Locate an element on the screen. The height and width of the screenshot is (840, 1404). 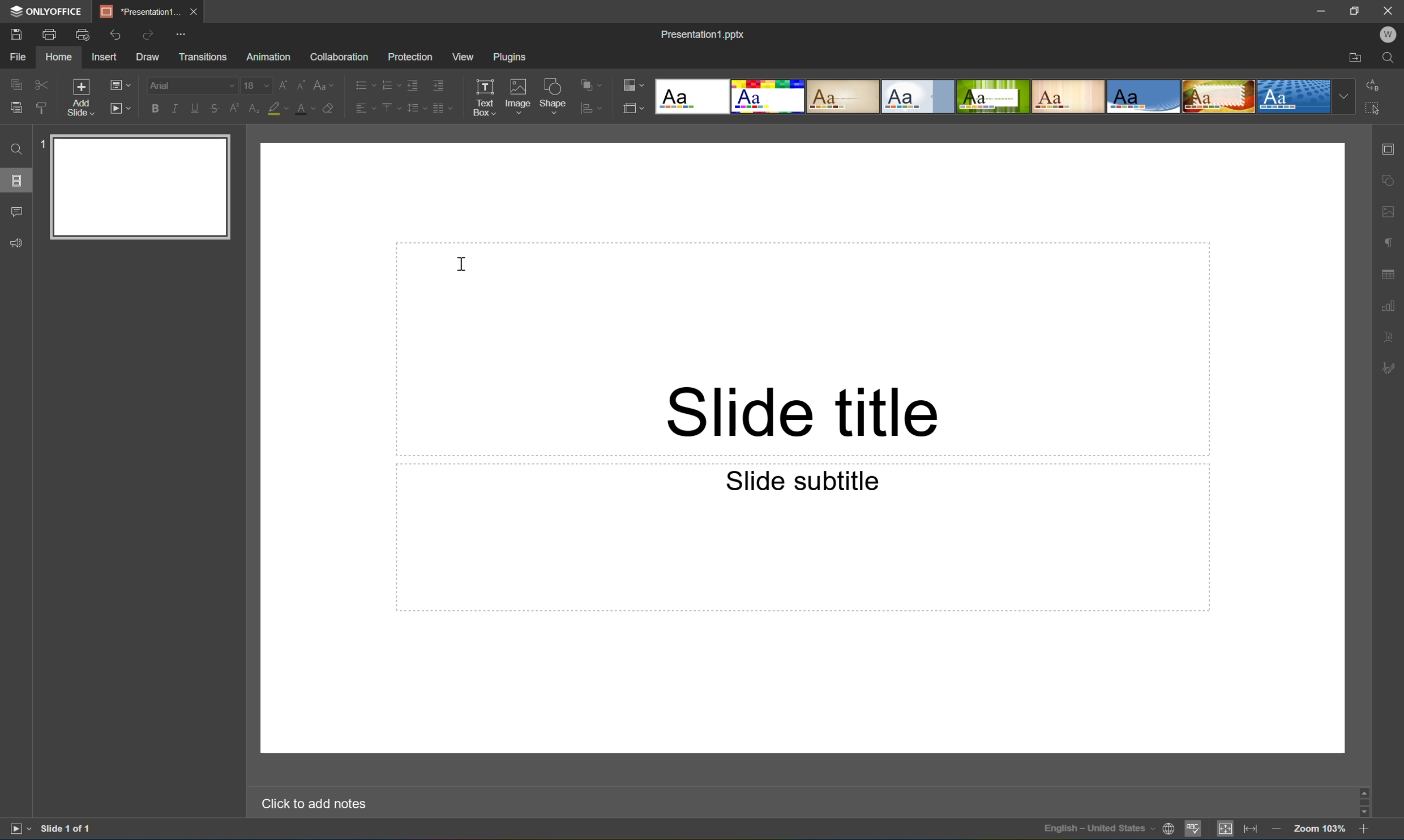
Align shape is located at coordinates (593, 110).